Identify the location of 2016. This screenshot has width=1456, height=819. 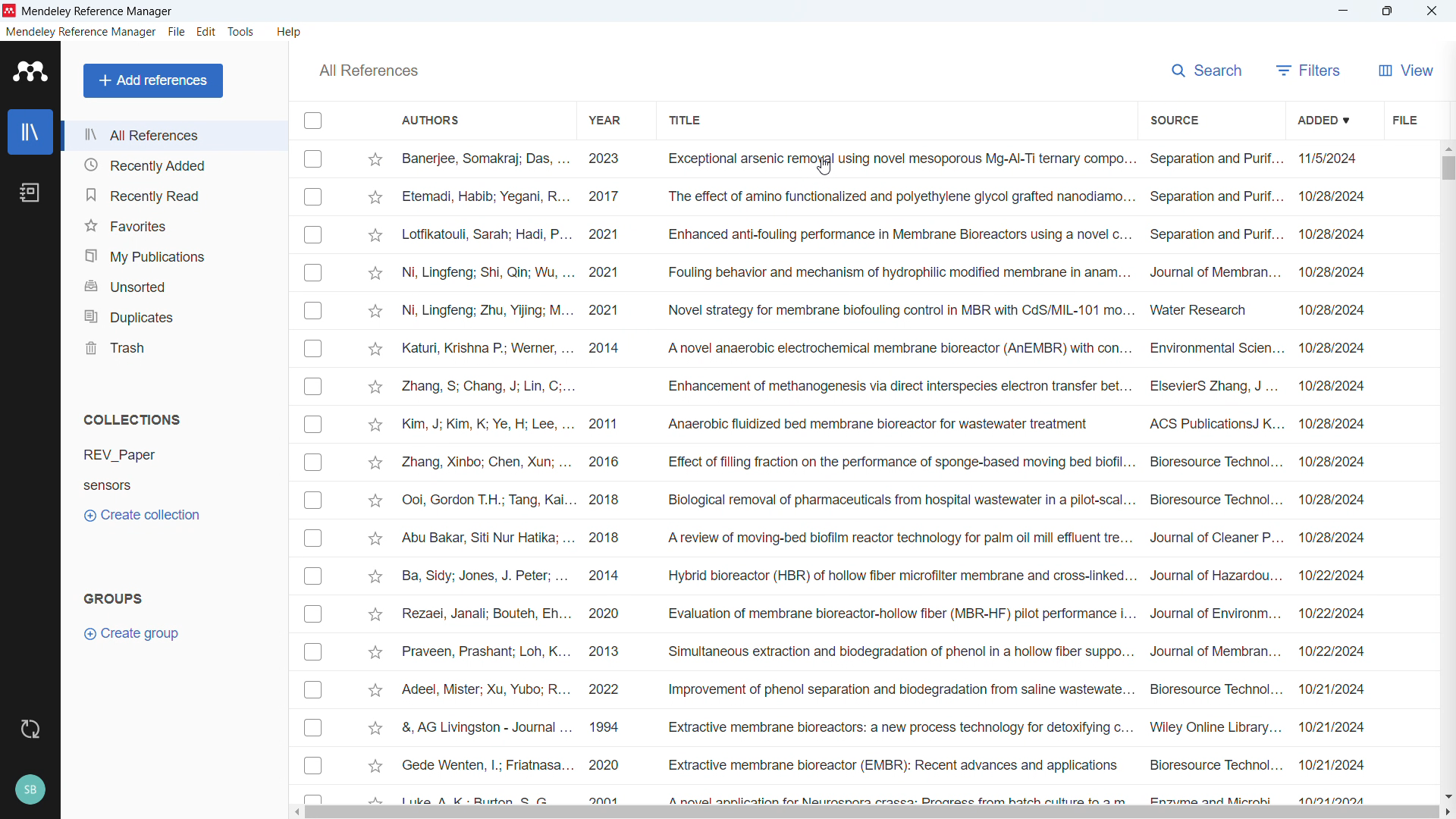
(610, 463).